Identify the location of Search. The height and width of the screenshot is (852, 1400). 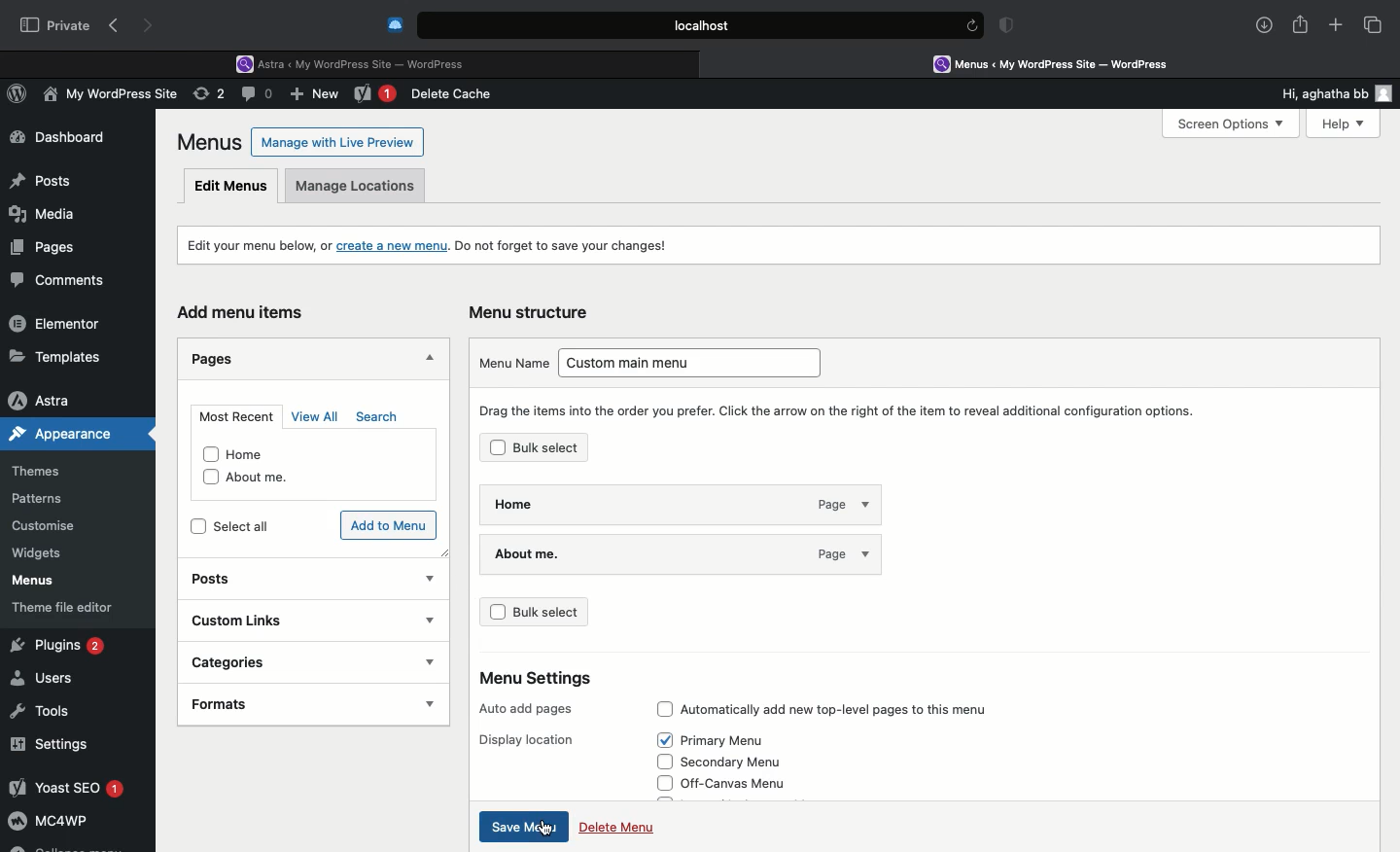
(380, 417).